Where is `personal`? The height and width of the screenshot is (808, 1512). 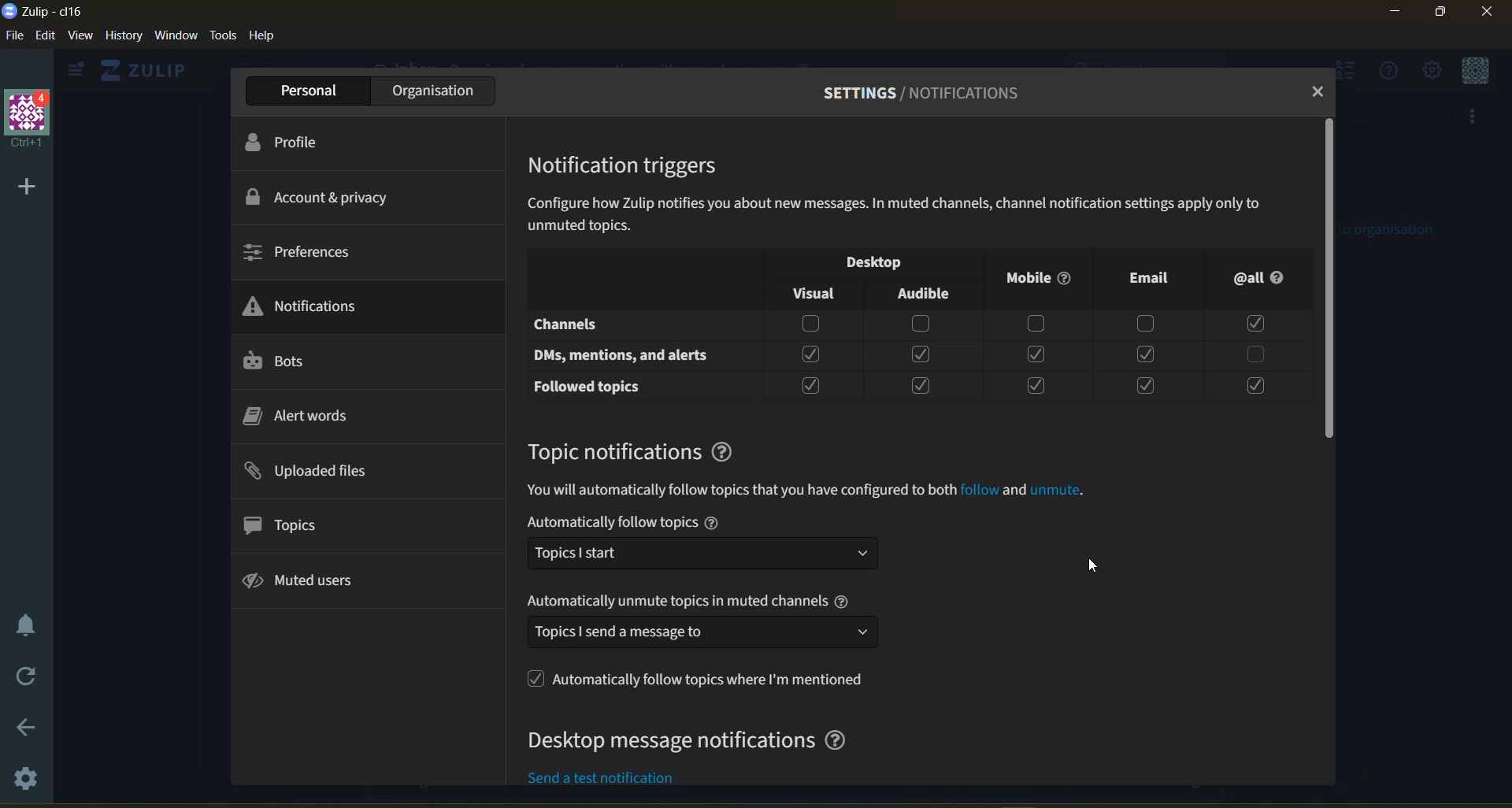 personal is located at coordinates (302, 90).